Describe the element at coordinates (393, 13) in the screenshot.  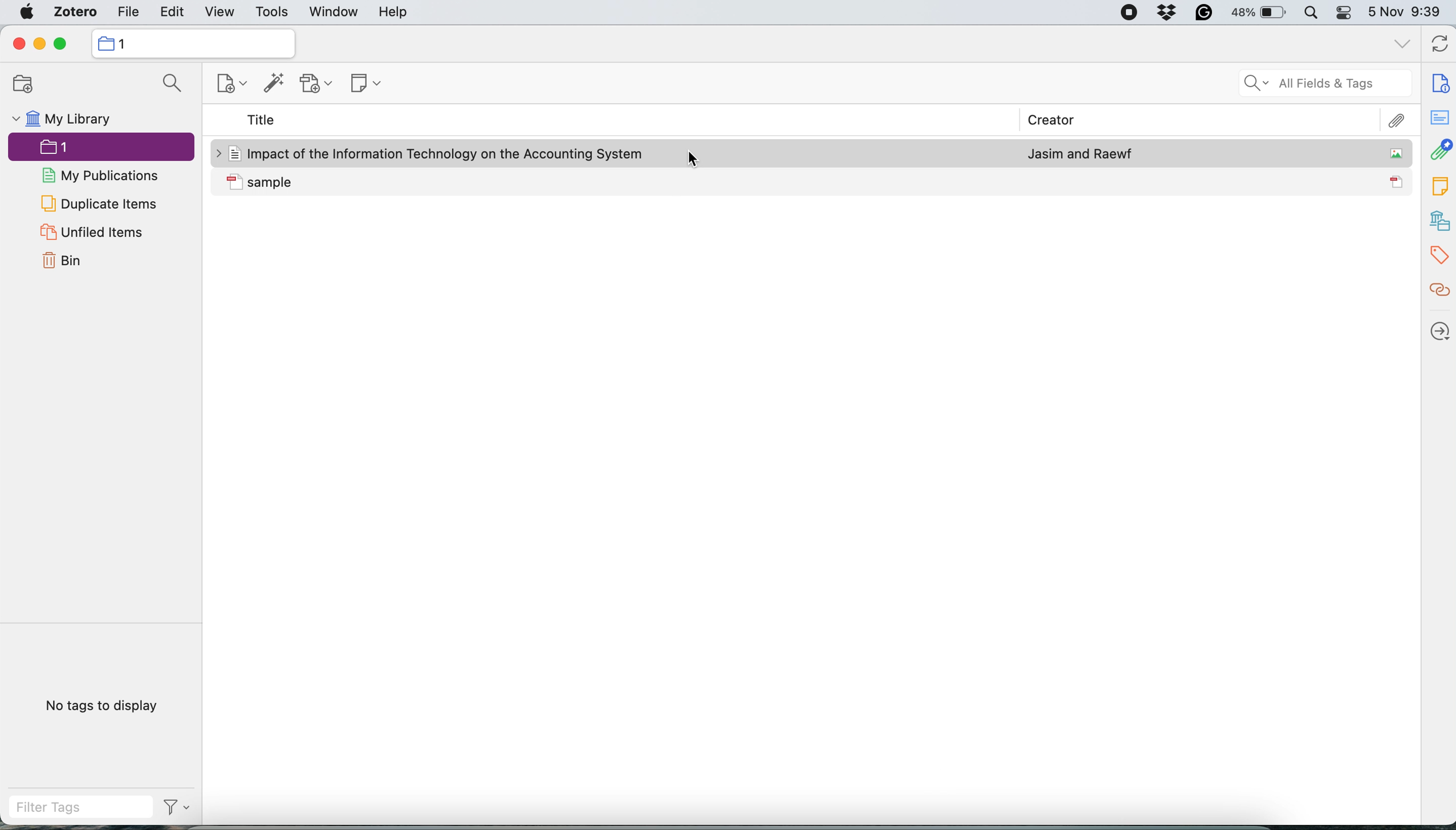
I see `help` at that location.